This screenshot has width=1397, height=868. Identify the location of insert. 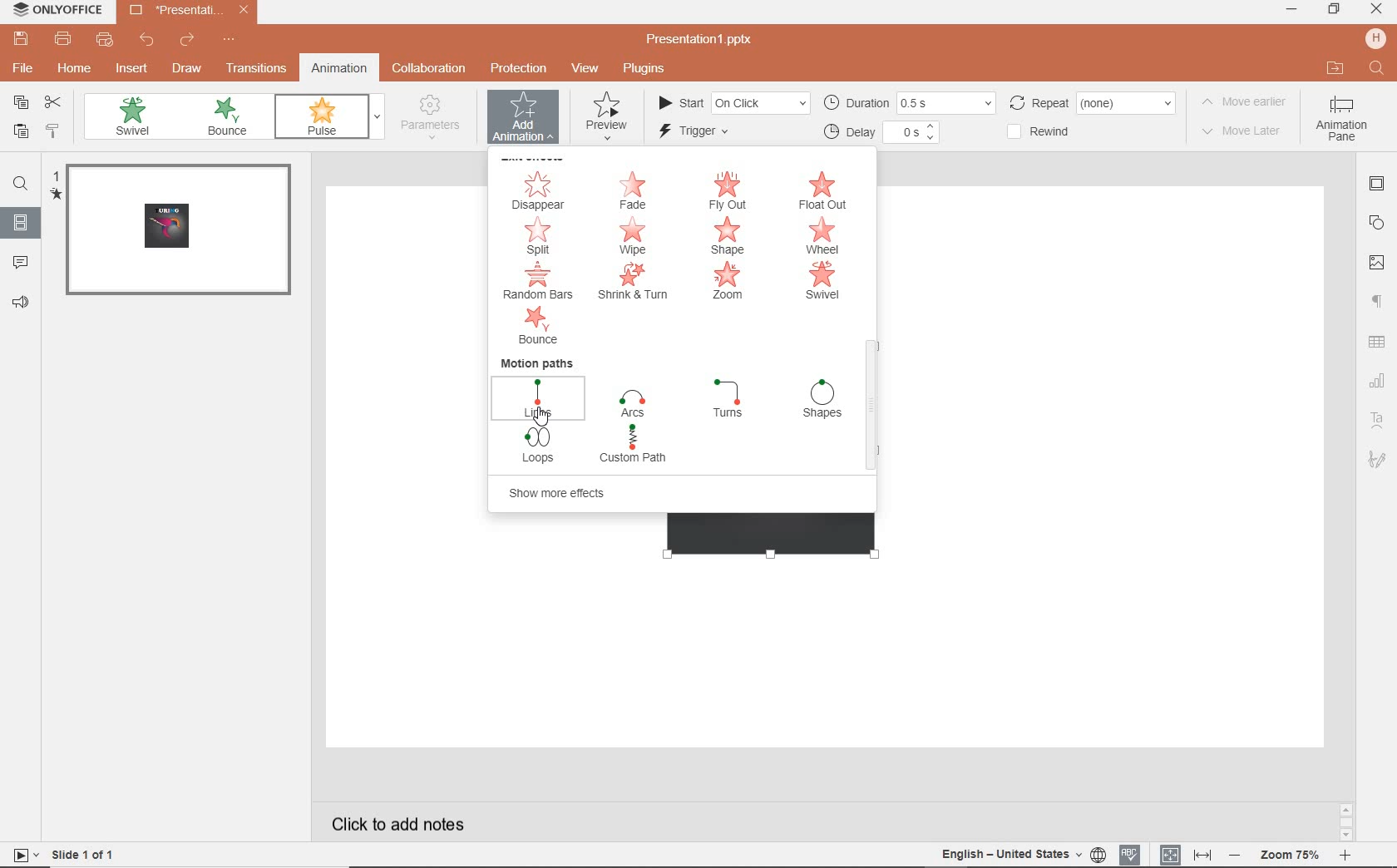
(131, 68).